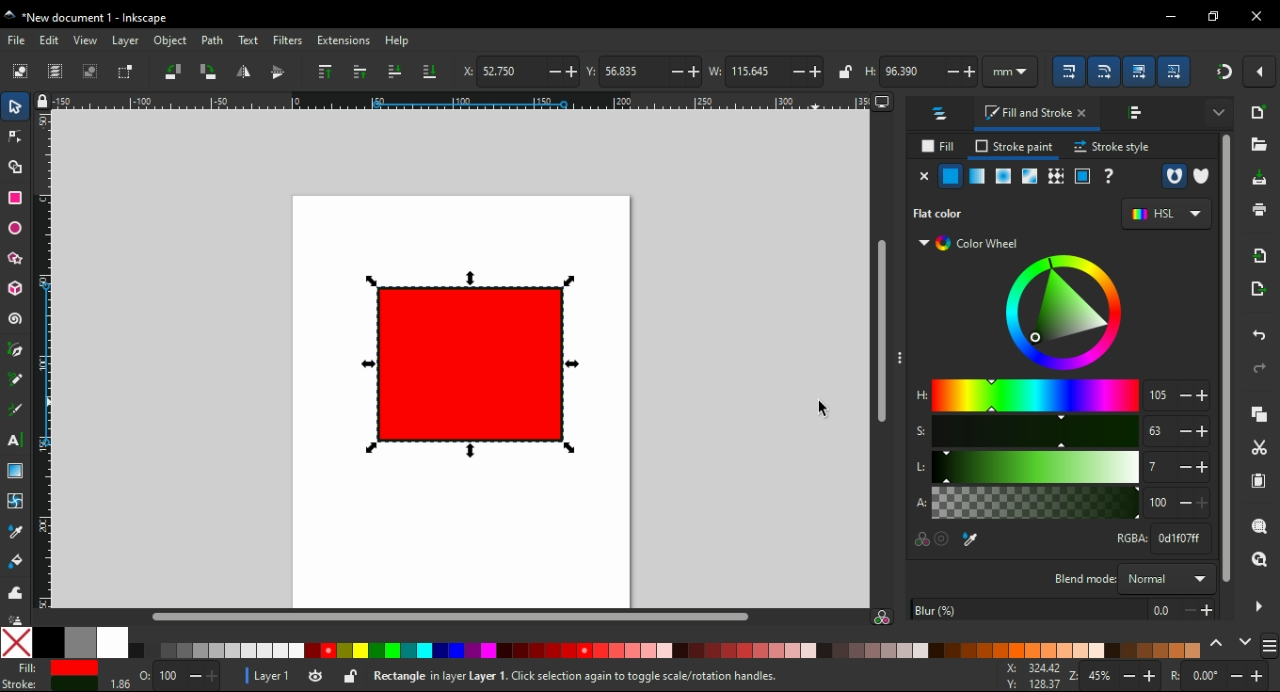 The width and height of the screenshot is (1280, 692). I want to click on minimize, so click(1170, 18).